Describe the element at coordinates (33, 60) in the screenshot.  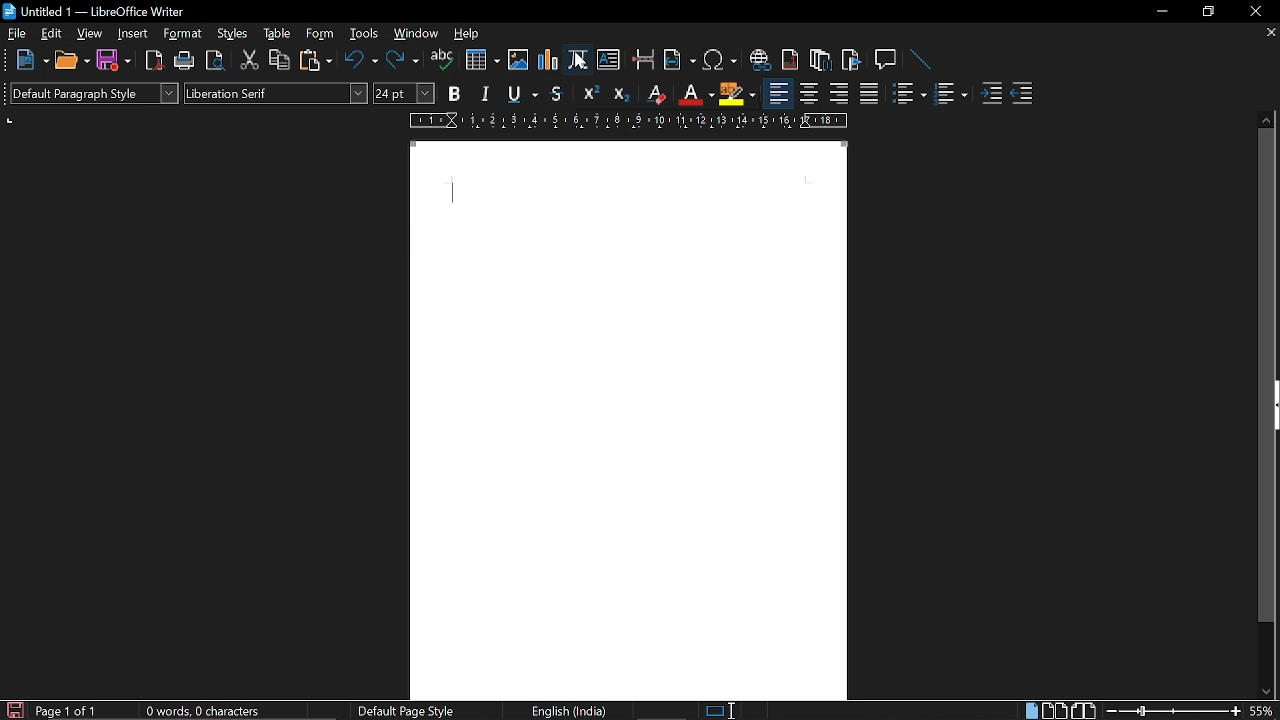
I see `new` at that location.